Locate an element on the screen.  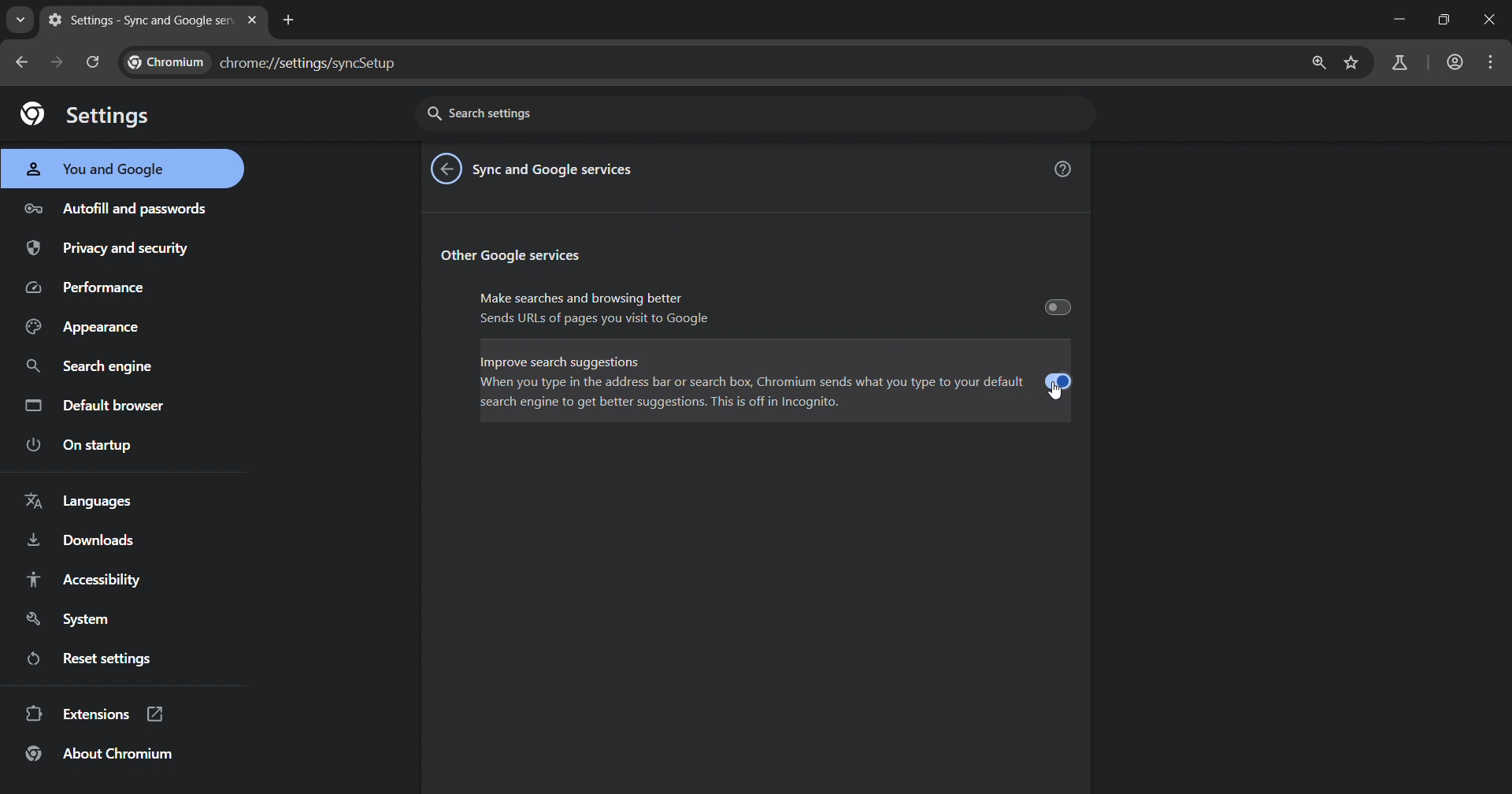
you and google is located at coordinates (91, 169).